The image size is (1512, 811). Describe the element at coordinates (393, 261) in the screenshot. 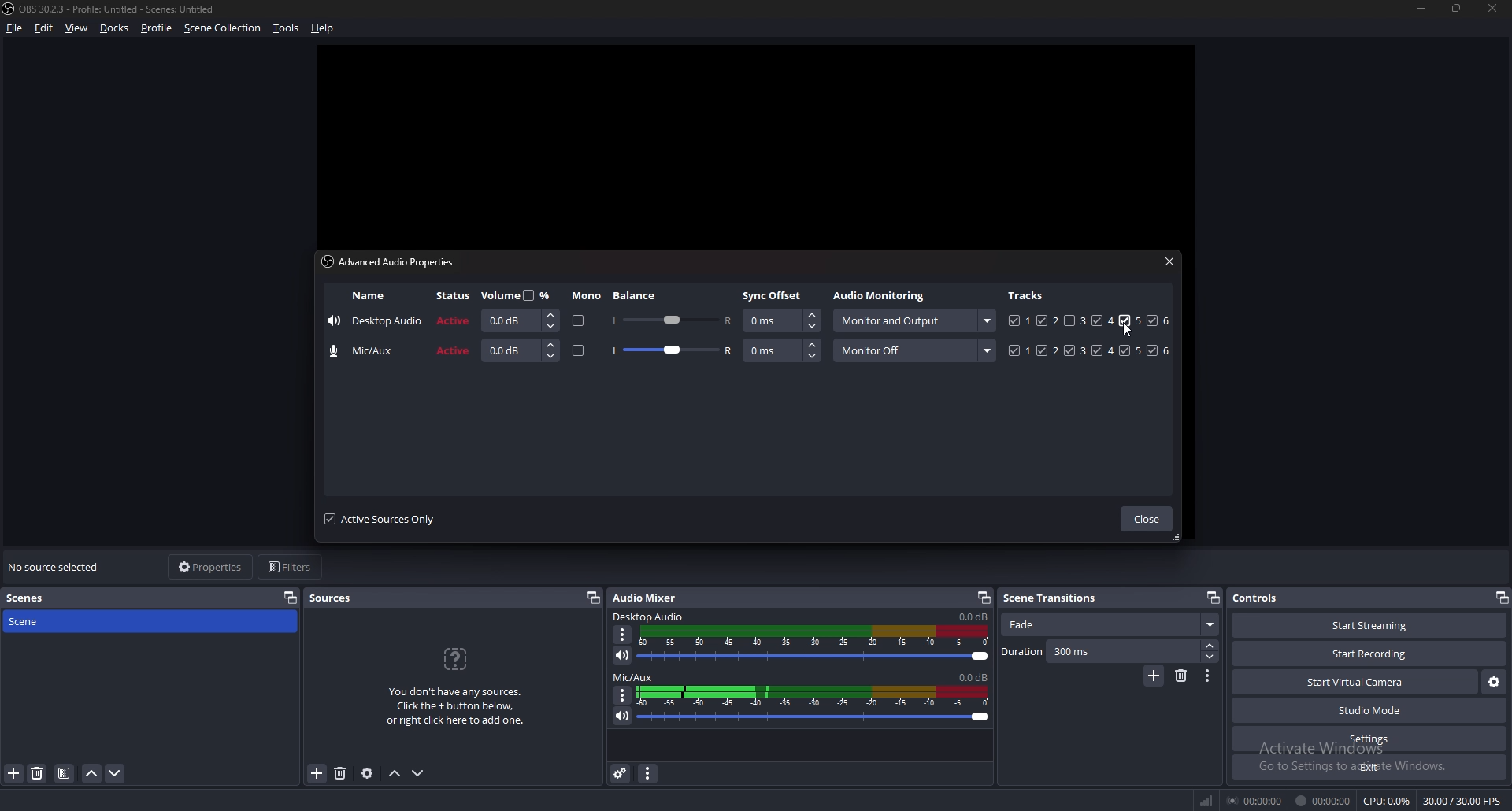

I see `advanced audio properties` at that location.